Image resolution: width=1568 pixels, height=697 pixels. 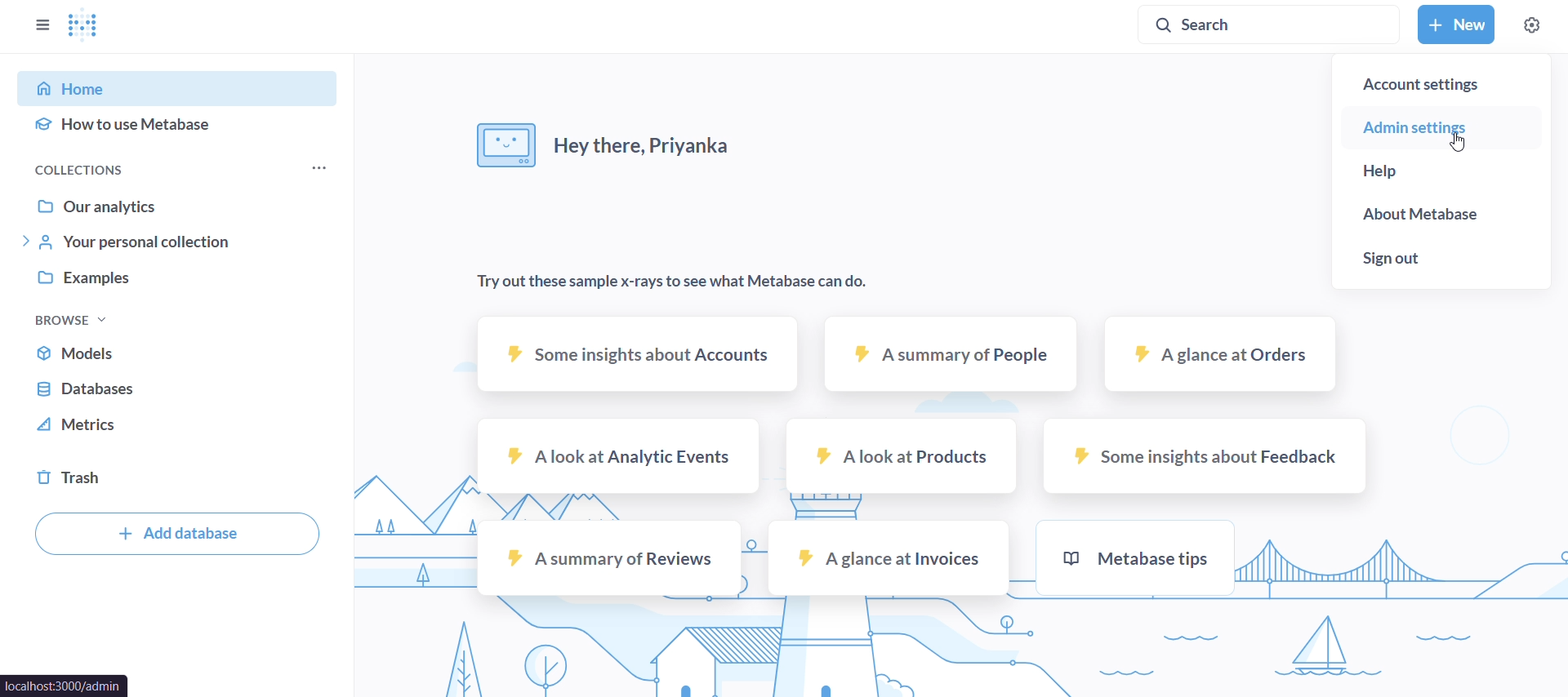 What do you see at coordinates (176, 429) in the screenshot?
I see `metrics` at bounding box center [176, 429].